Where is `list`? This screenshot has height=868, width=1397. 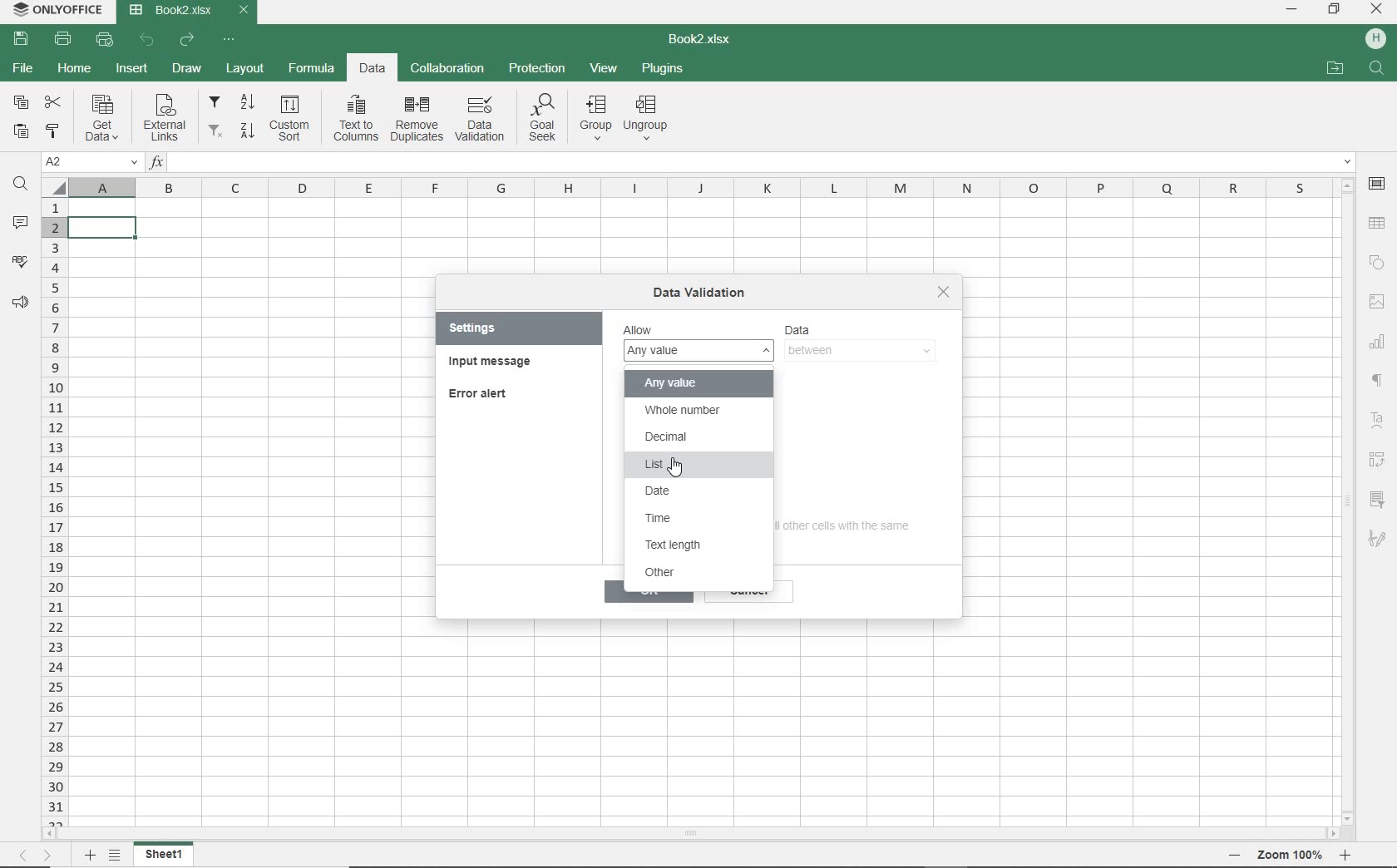
list is located at coordinates (692, 465).